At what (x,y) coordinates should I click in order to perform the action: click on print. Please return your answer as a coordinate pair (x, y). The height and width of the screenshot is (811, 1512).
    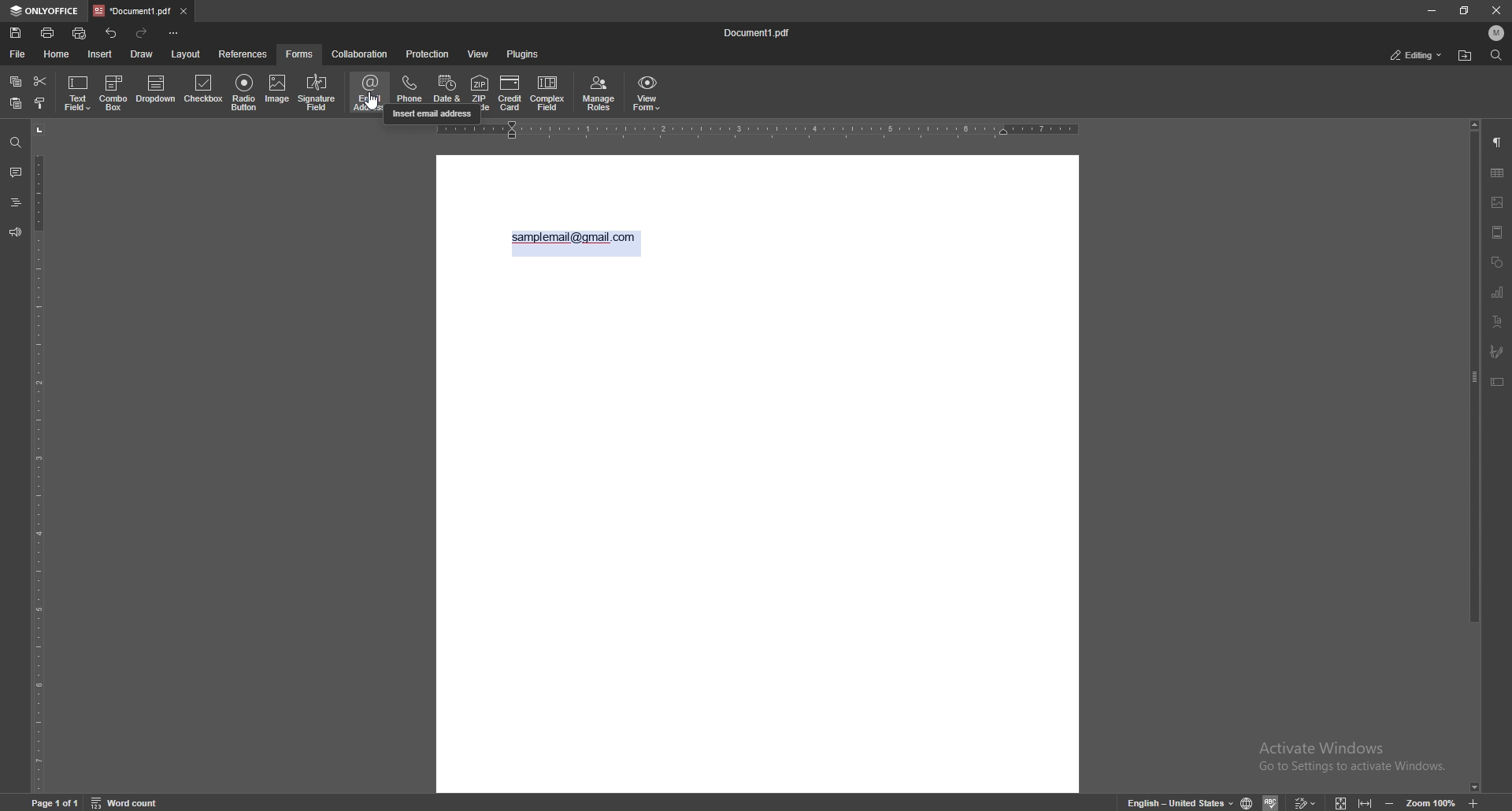
    Looking at the image, I should click on (48, 32).